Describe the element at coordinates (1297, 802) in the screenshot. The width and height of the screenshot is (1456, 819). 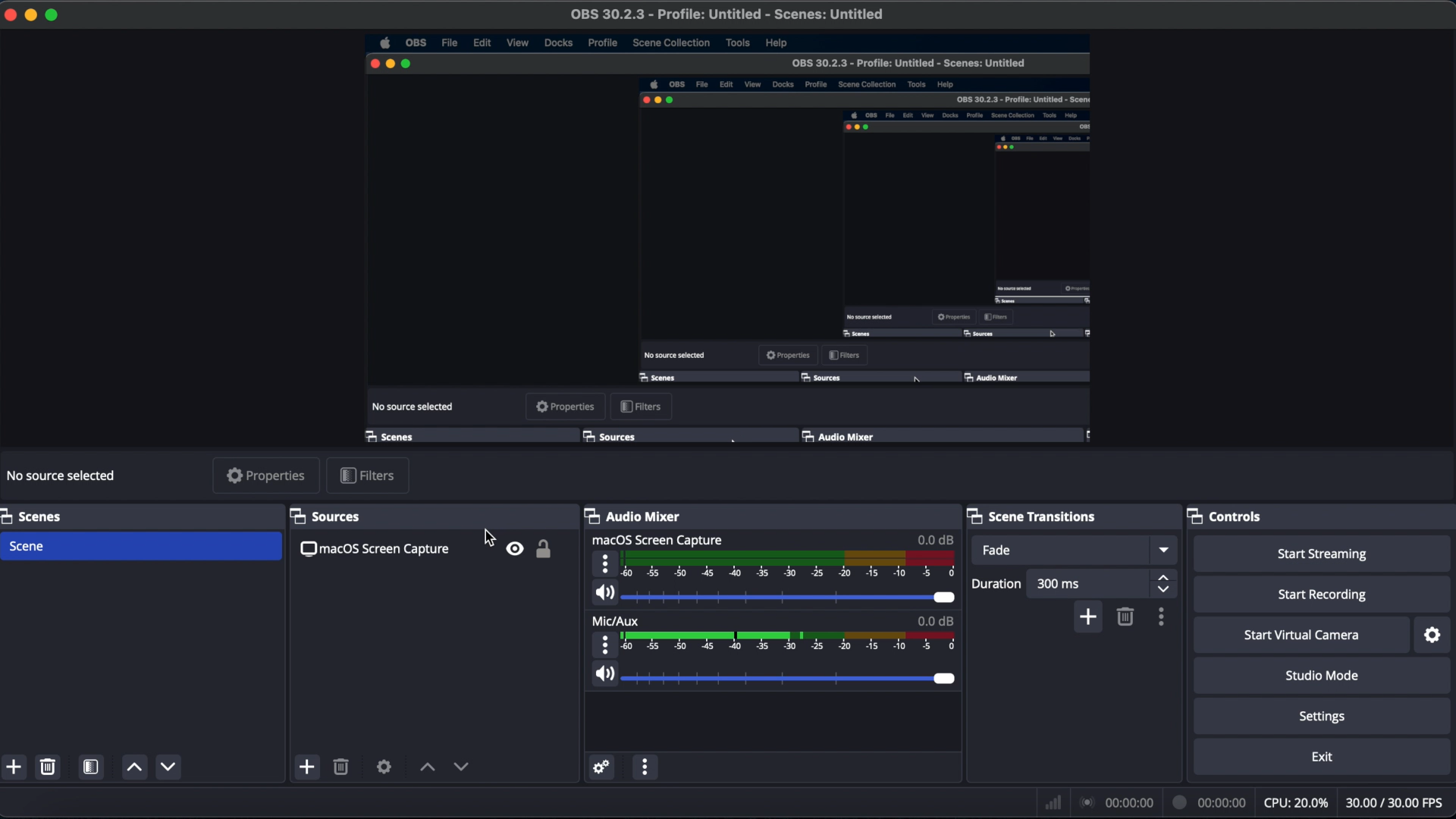
I see `CPU usage` at that location.